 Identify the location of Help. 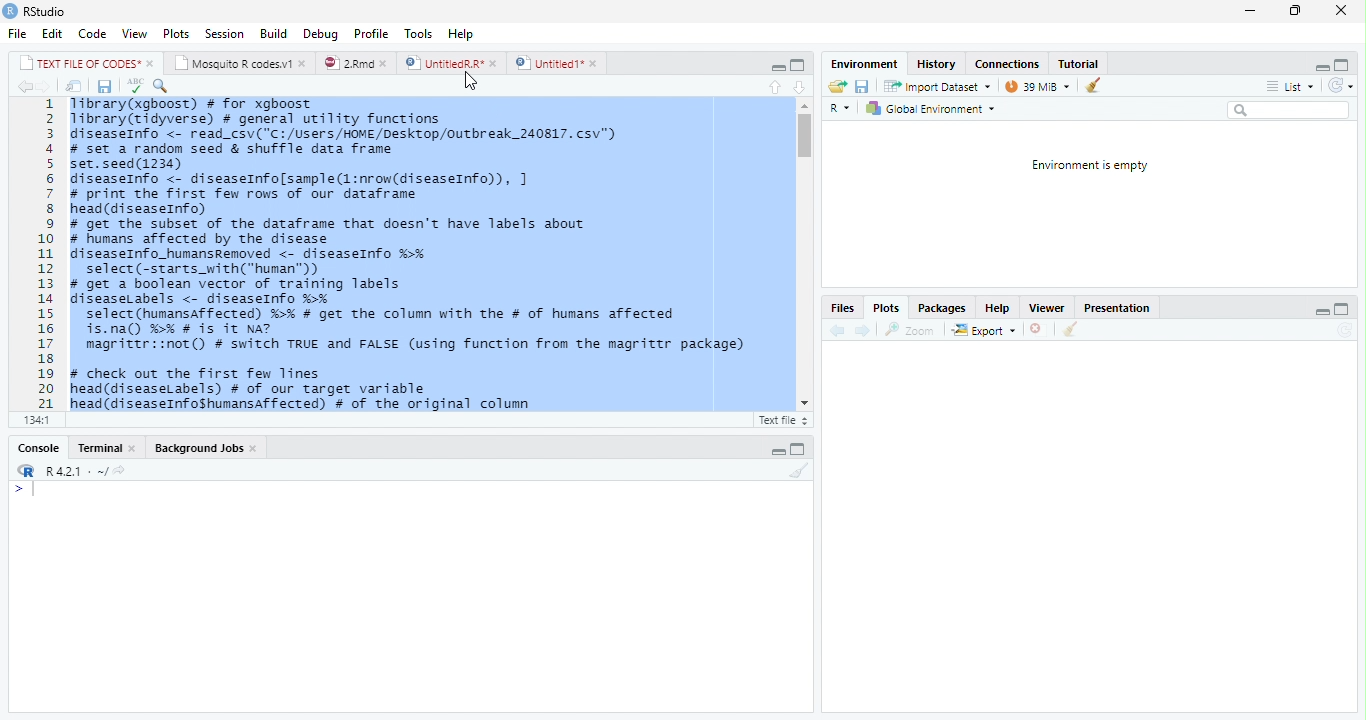
(463, 36).